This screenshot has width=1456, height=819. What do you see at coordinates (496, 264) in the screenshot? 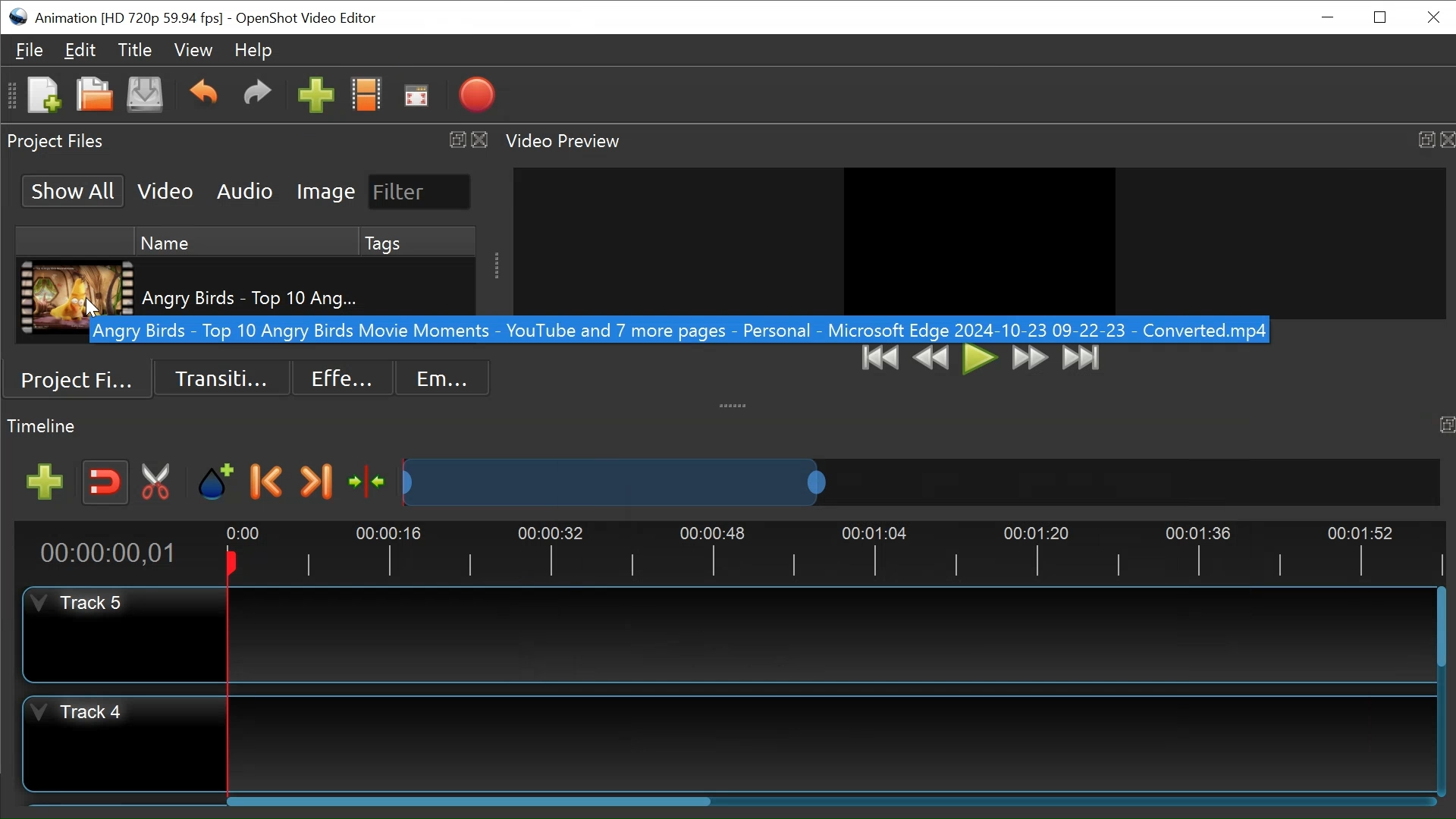
I see `Drag handlke` at bounding box center [496, 264].